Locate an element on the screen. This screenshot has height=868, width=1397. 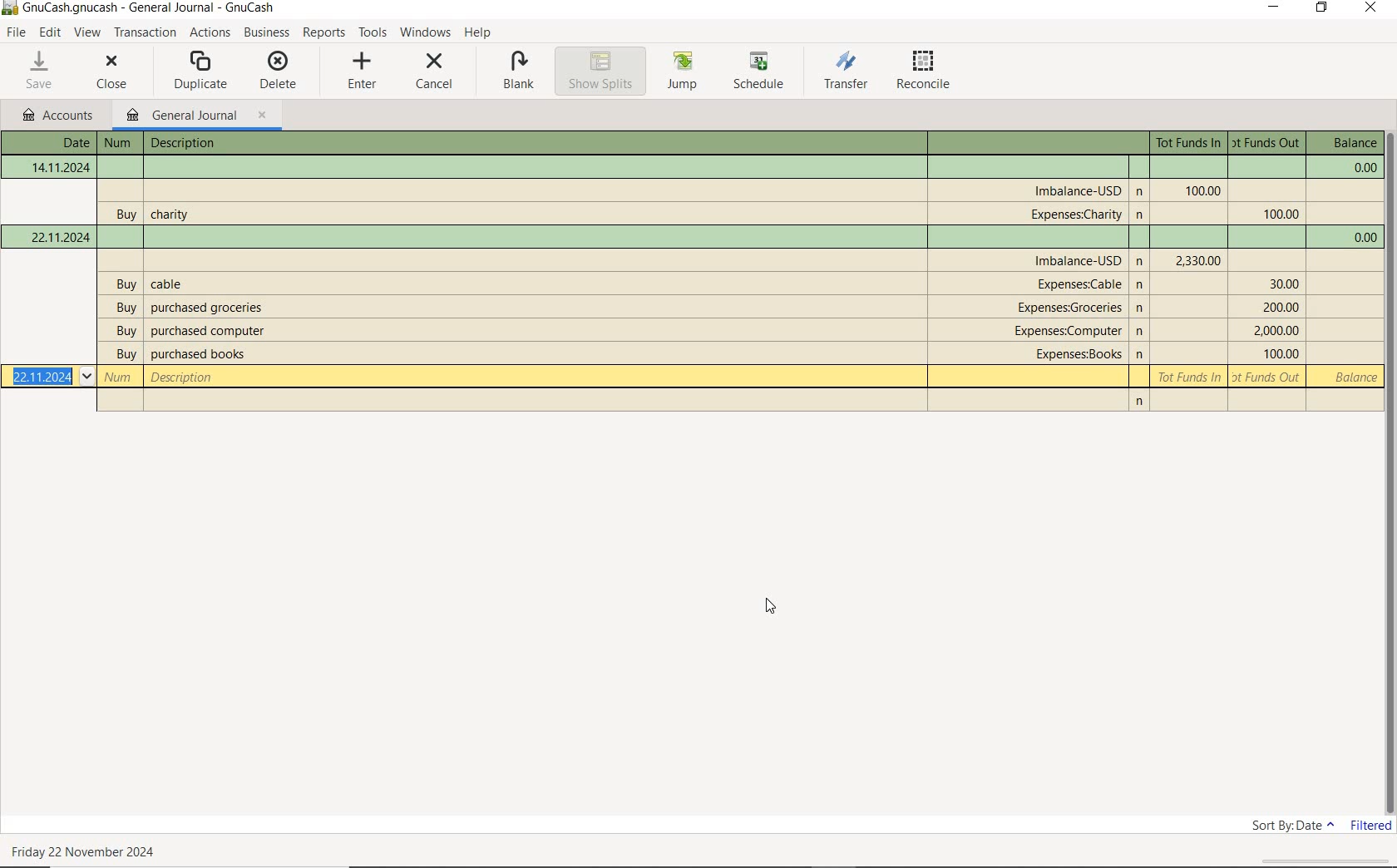
CANCEL is located at coordinates (435, 70).